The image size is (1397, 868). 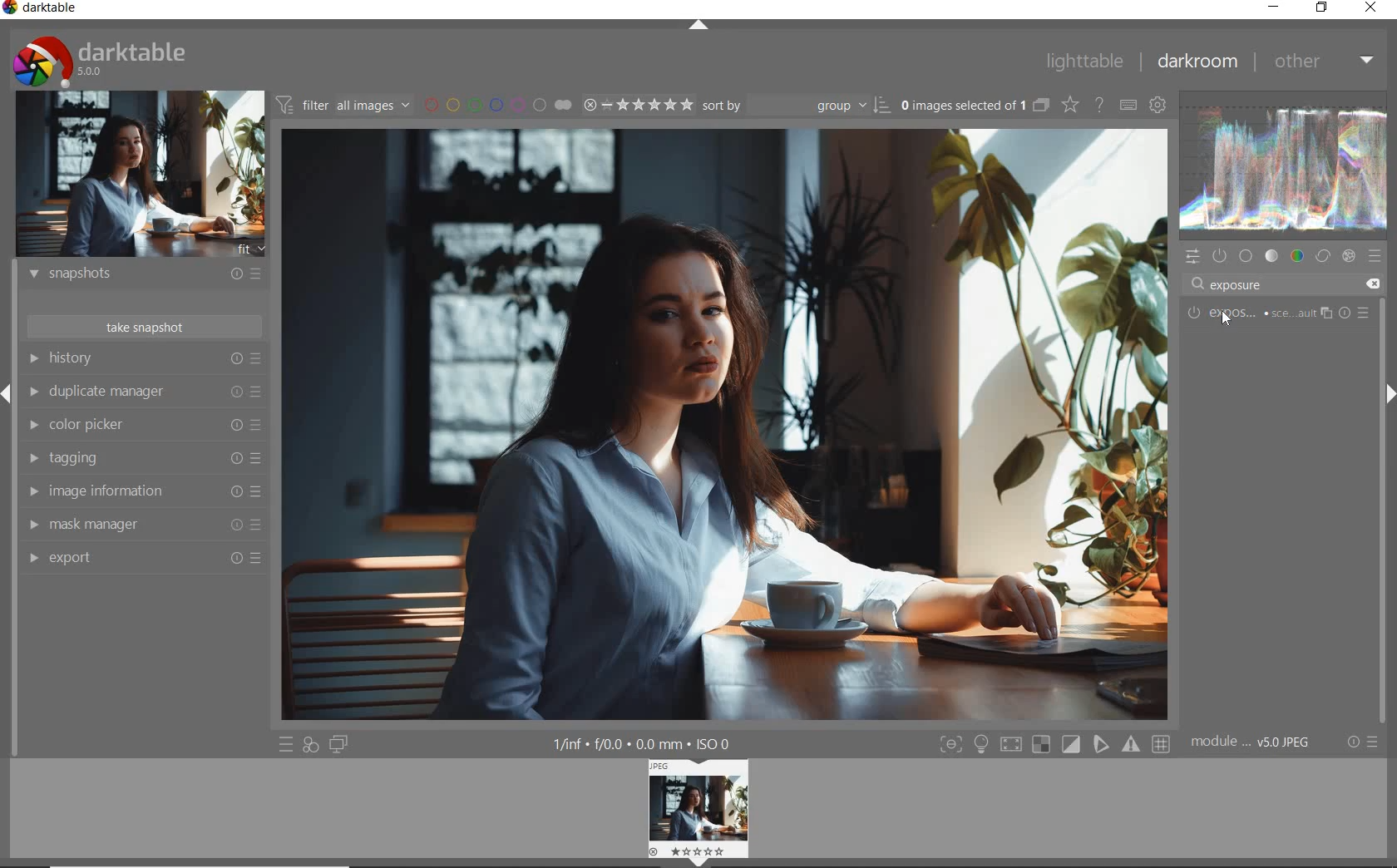 What do you see at coordinates (1100, 105) in the screenshot?
I see `enable online help` at bounding box center [1100, 105].